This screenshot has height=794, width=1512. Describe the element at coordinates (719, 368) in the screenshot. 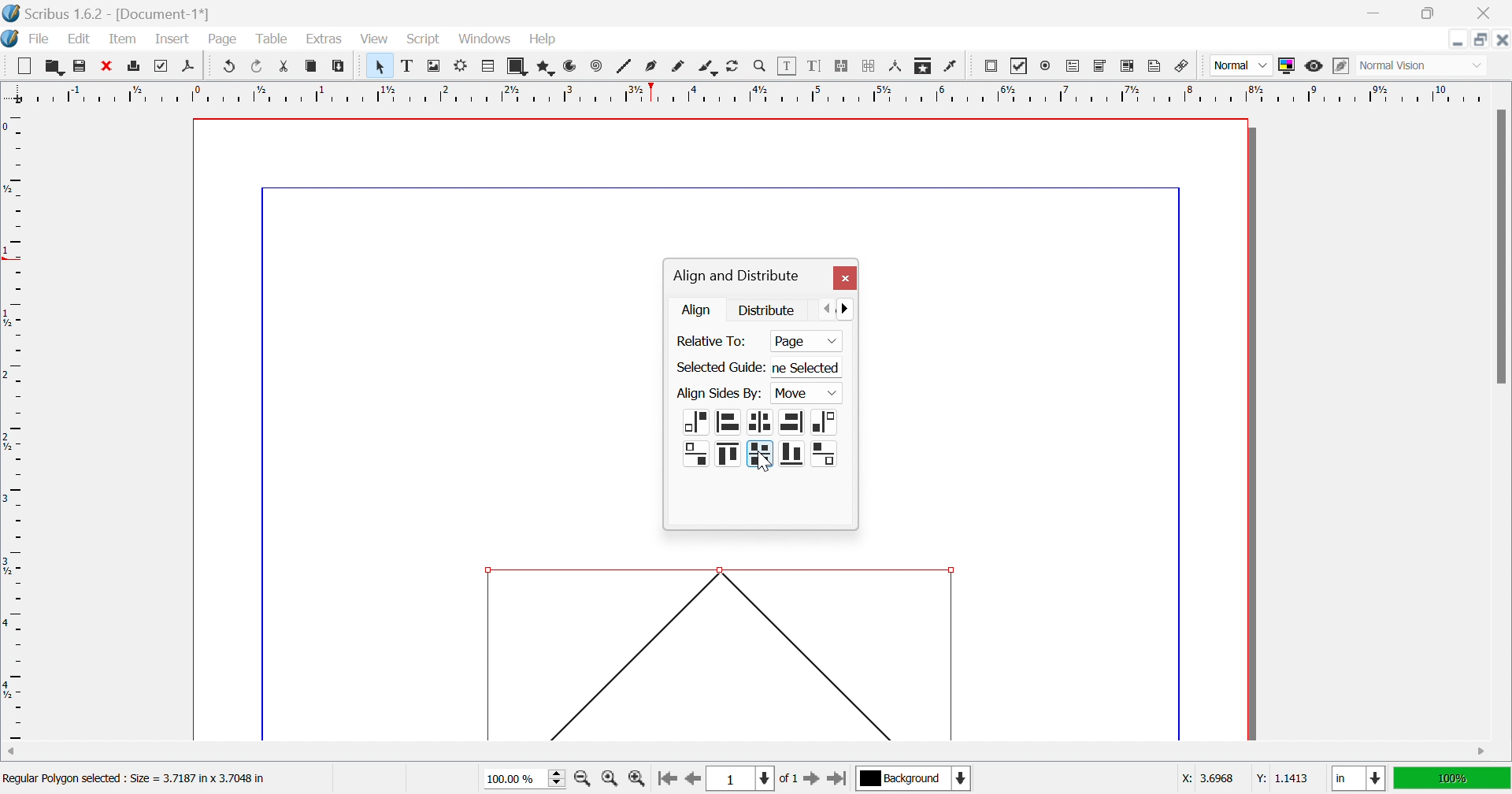

I see `Select Guide` at that location.